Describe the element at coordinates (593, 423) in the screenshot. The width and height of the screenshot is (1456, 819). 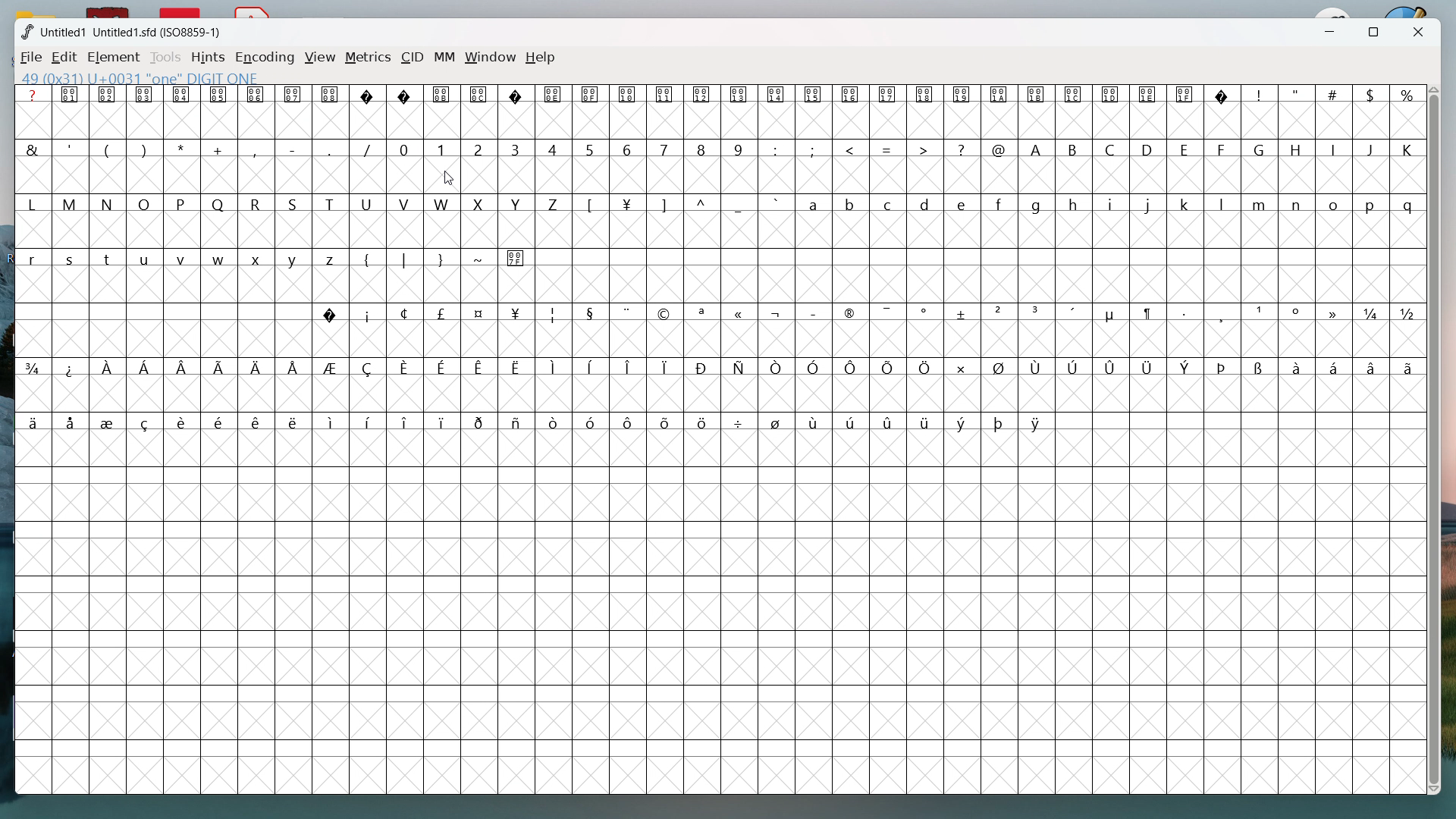
I see `symbol` at that location.